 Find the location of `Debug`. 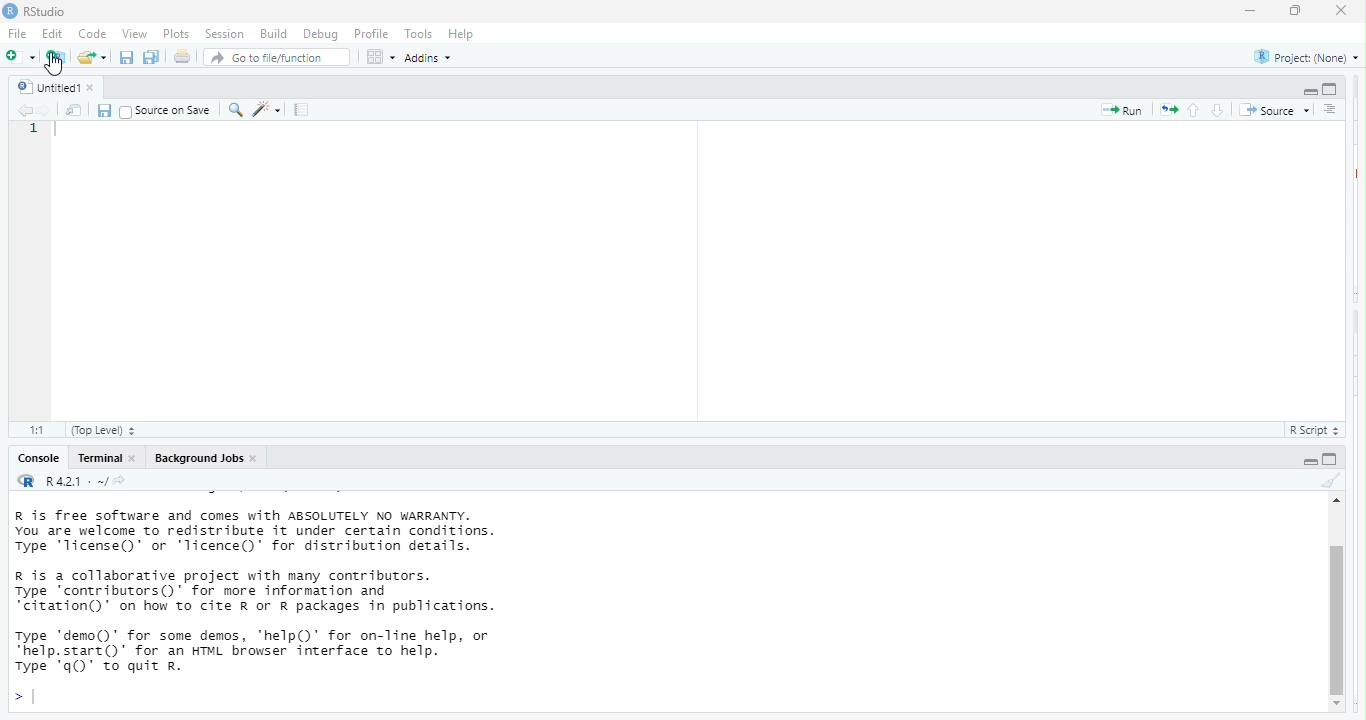

Debug is located at coordinates (319, 34).